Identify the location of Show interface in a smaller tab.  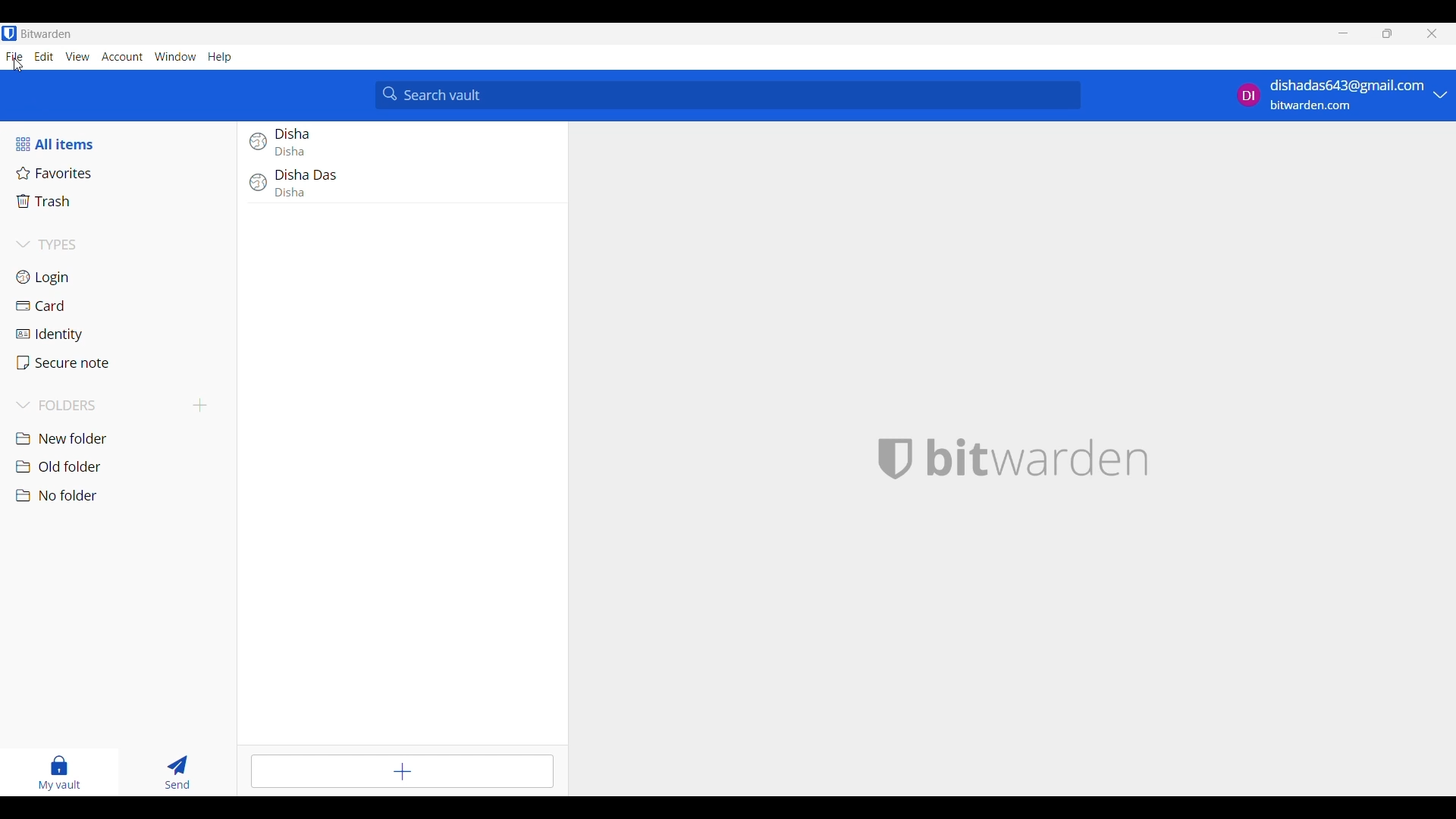
(1387, 33).